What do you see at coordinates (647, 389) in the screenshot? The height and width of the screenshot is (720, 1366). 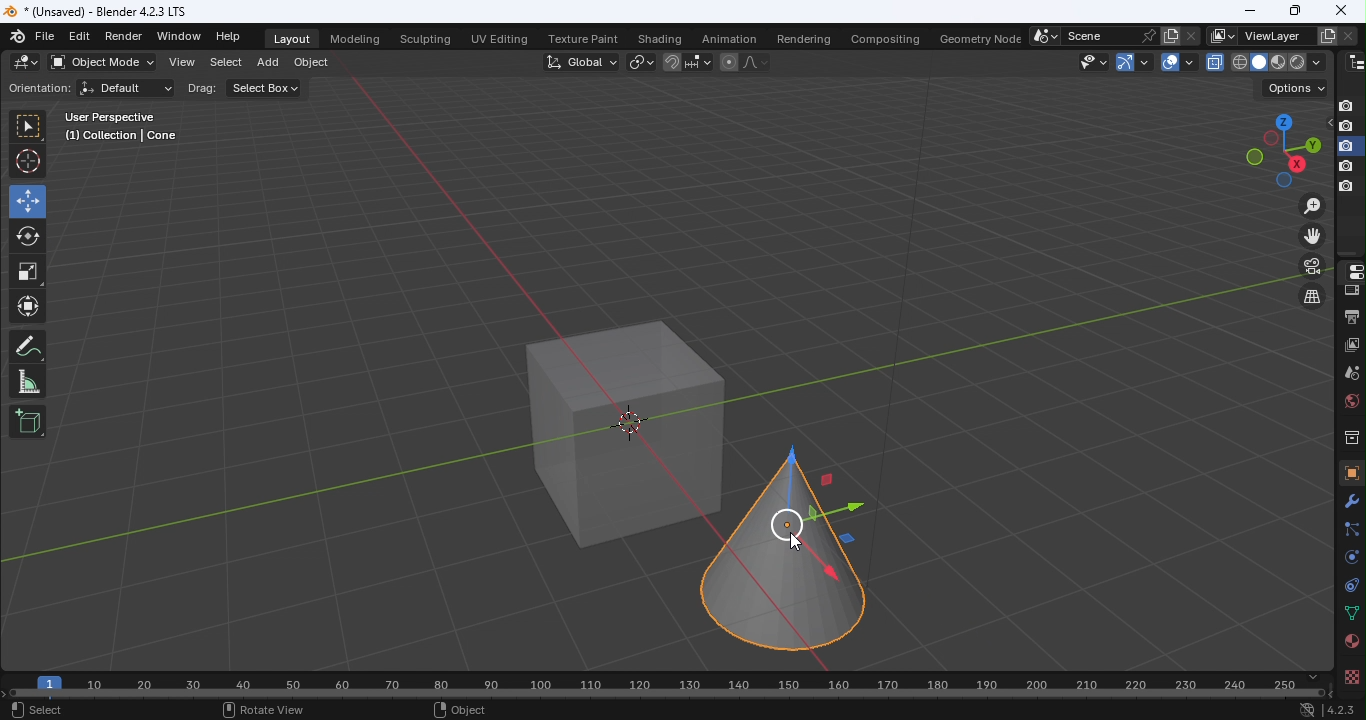 I see `Workspace` at bounding box center [647, 389].